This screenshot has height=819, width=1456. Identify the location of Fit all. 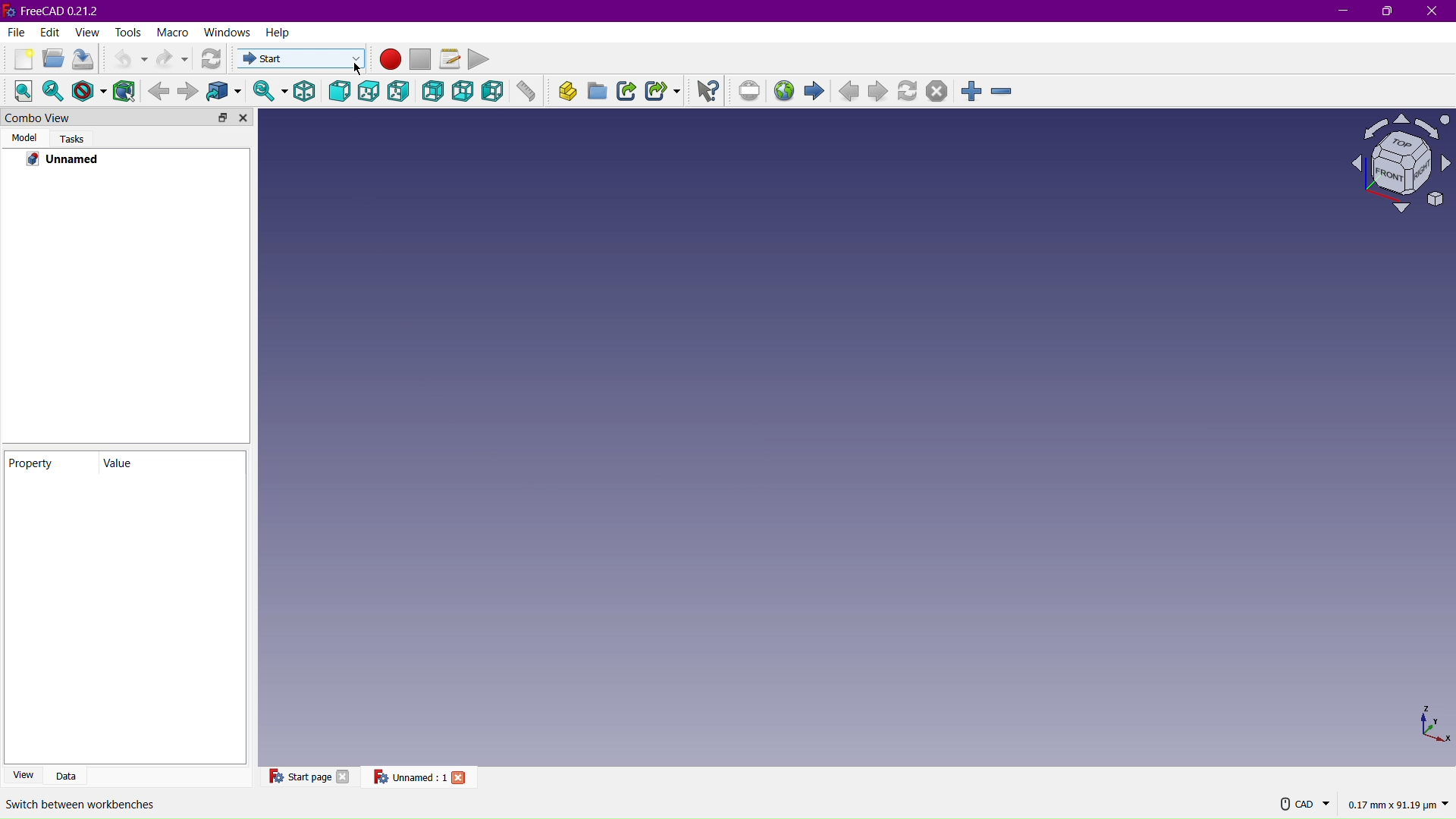
(22, 90).